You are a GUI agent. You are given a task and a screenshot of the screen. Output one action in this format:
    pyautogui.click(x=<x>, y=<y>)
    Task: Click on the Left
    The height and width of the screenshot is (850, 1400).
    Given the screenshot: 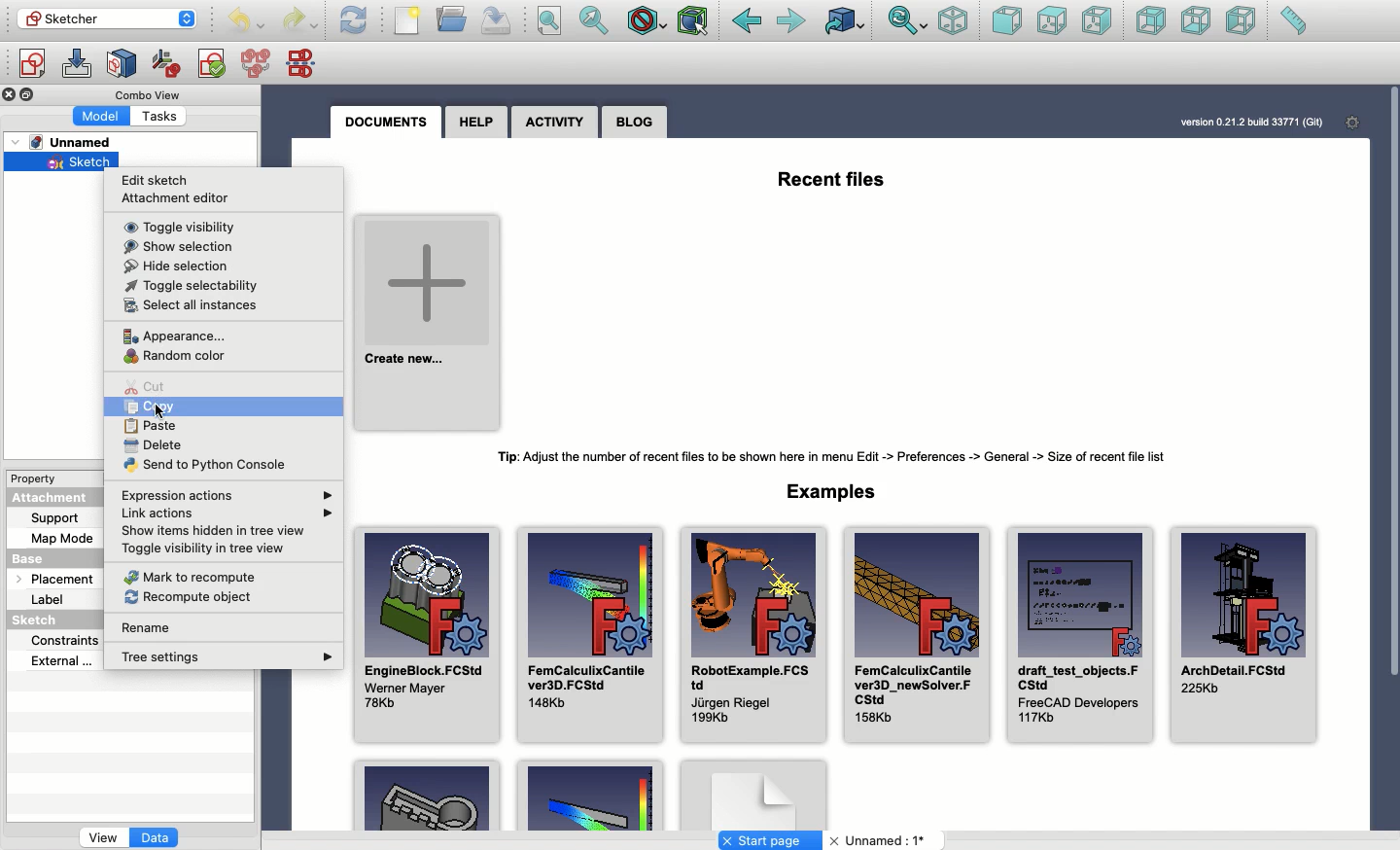 What is the action you would take?
    pyautogui.click(x=1242, y=20)
    